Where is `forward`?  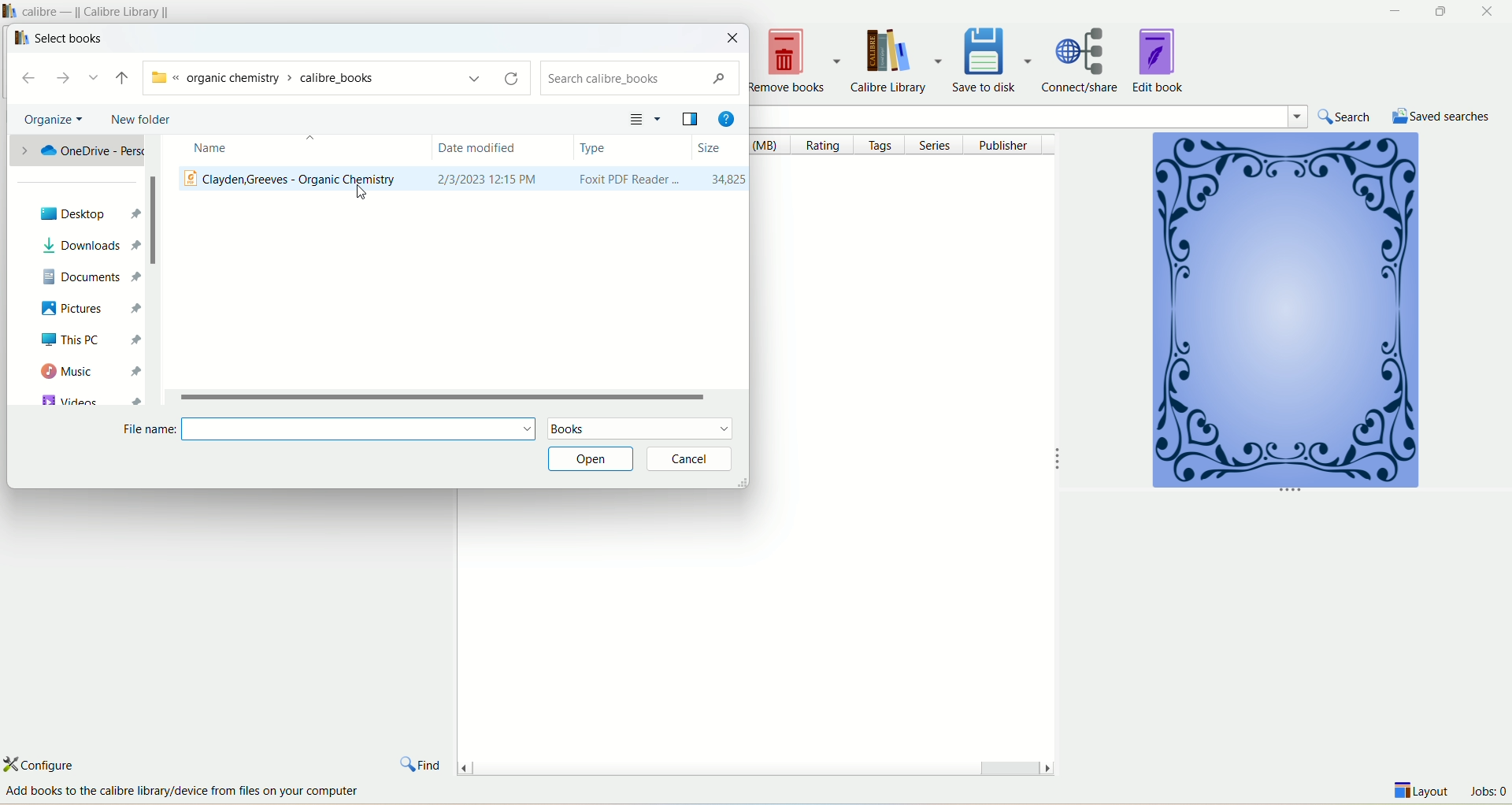 forward is located at coordinates (69, 79).